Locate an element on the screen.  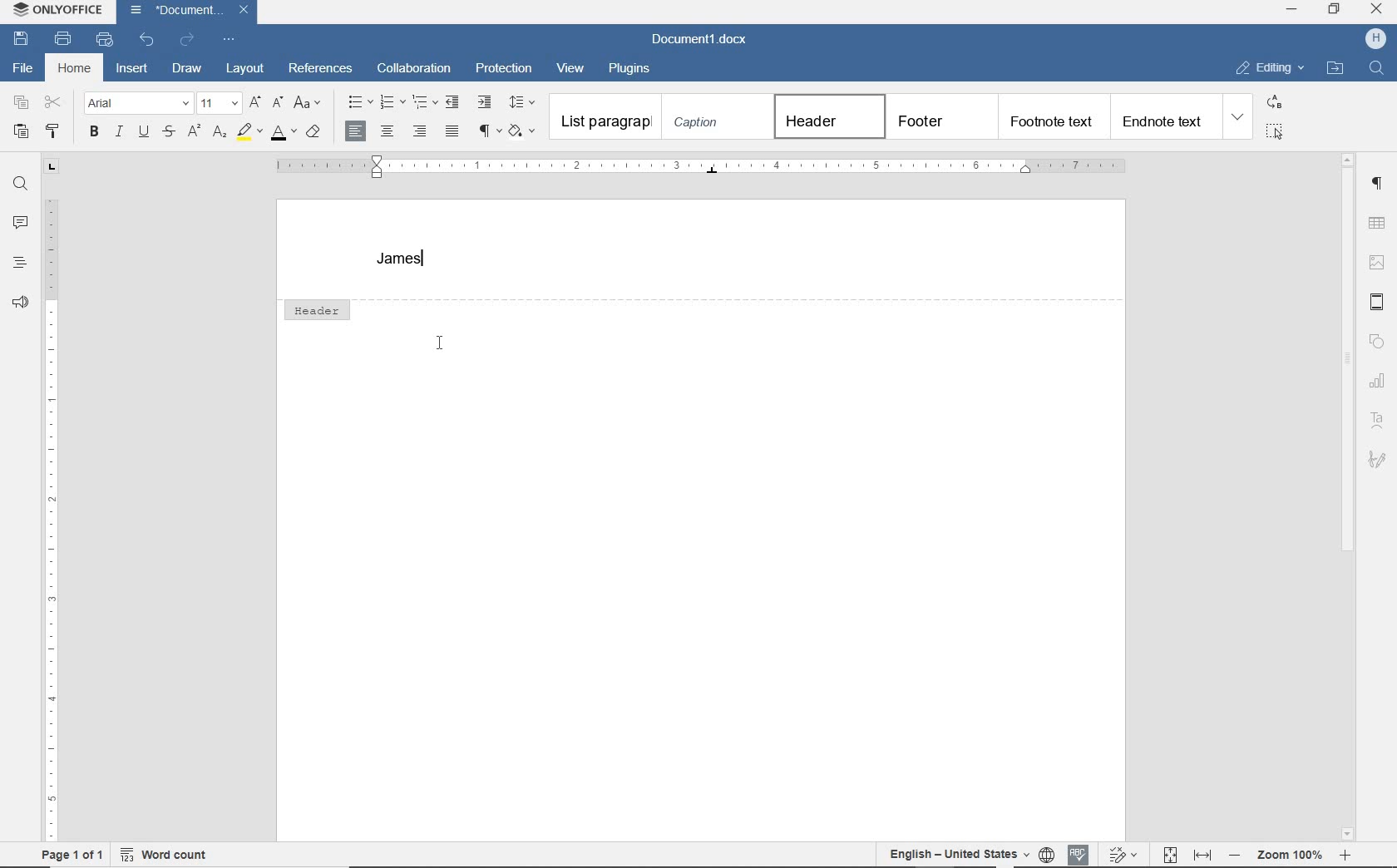
headings is located at coordinates (17, 262).